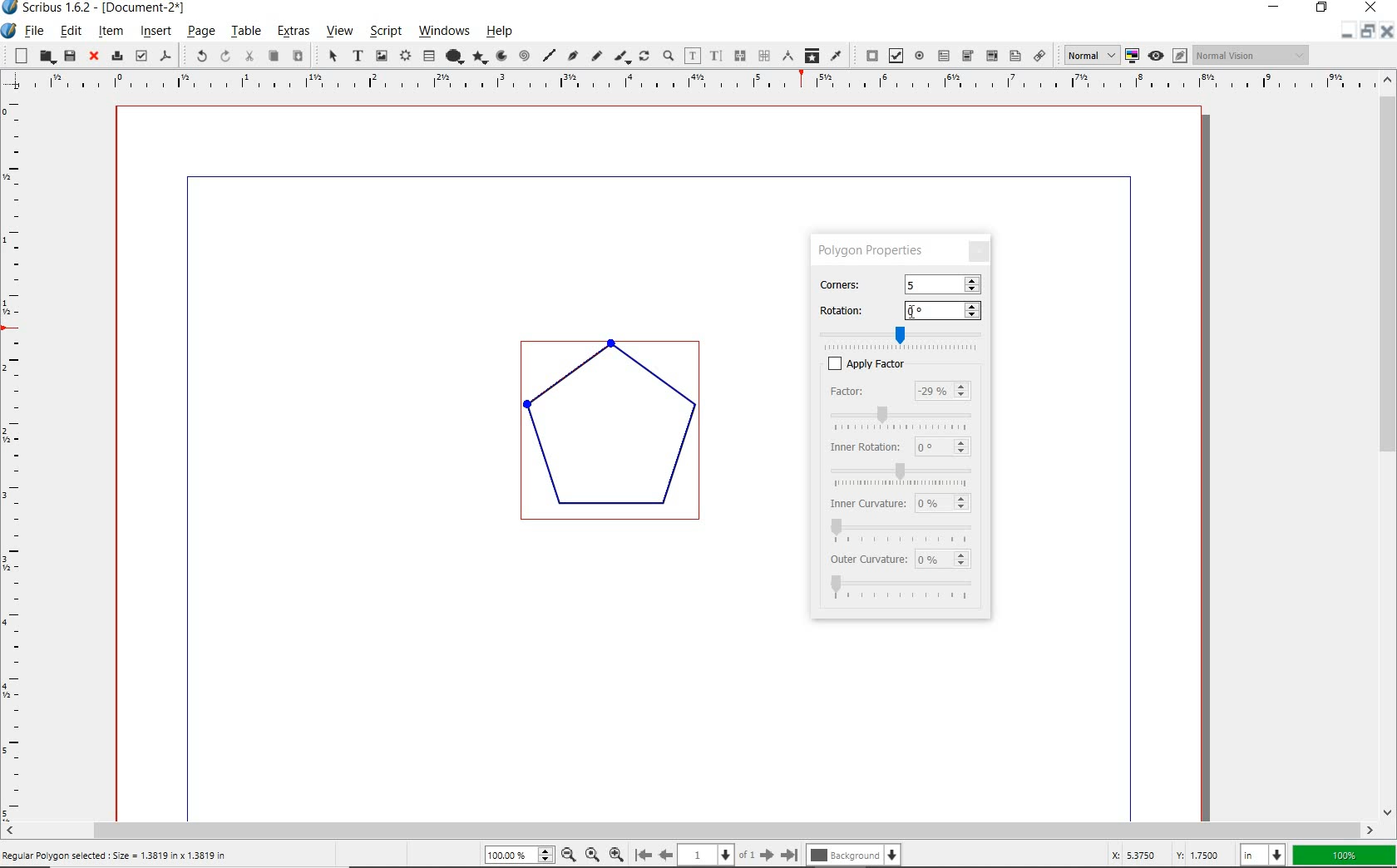  I want to click on OUTER CURVATURE, so click(869, 559).